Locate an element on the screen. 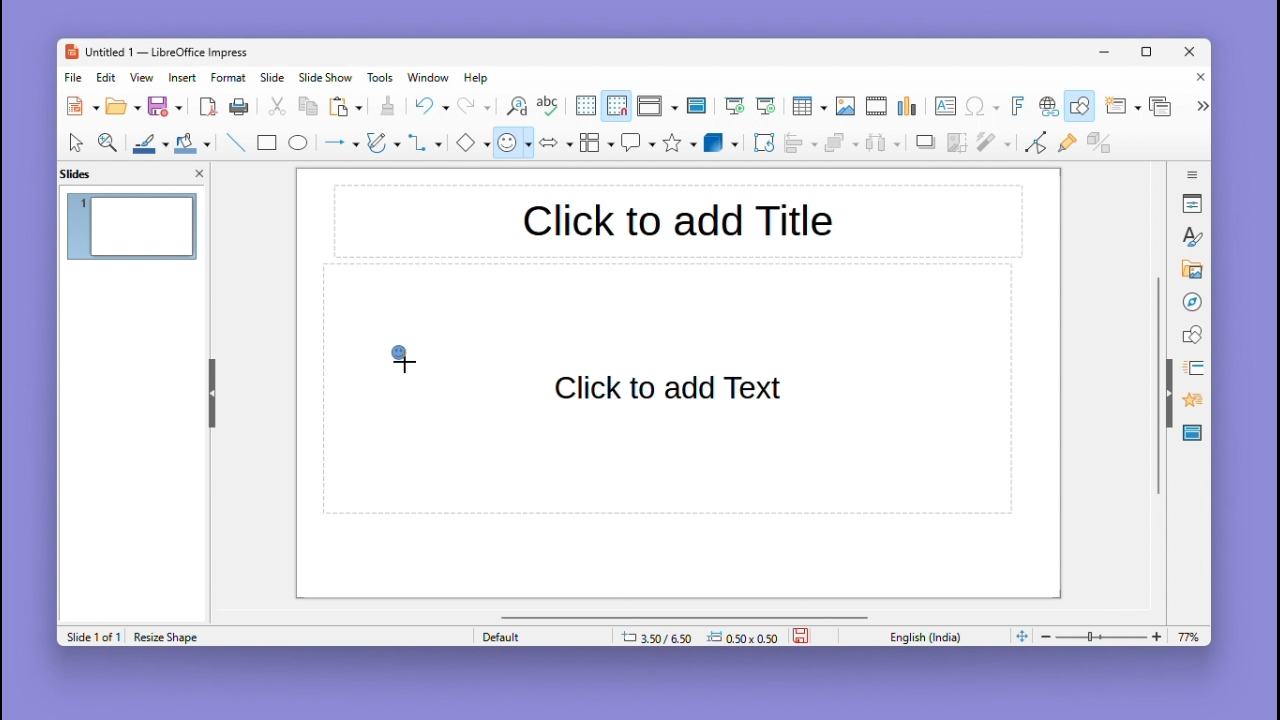  Horizontal scroll bar is located at coordinates (685, 616).